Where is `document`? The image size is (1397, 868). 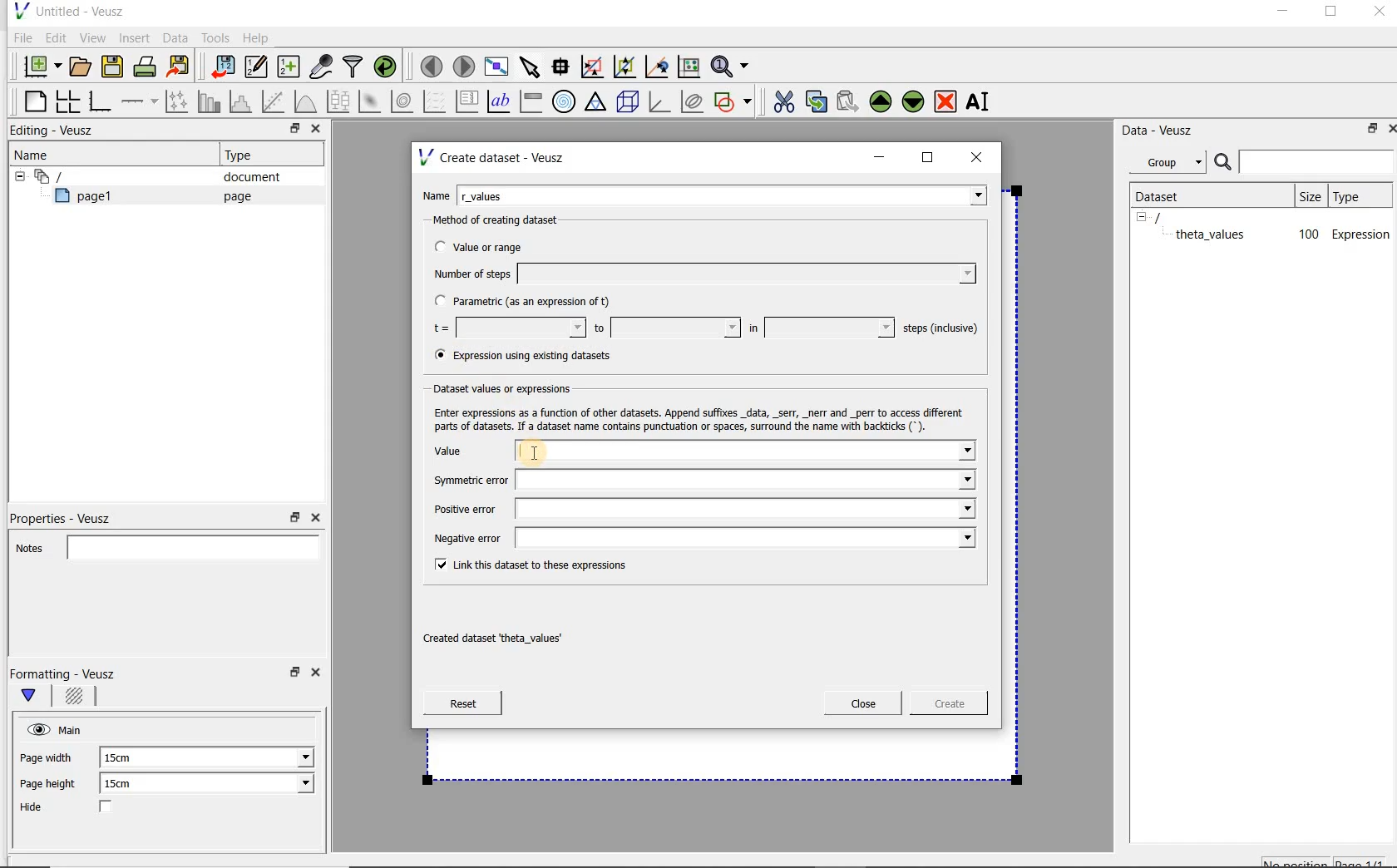
document is located at coordinates (245, 177).